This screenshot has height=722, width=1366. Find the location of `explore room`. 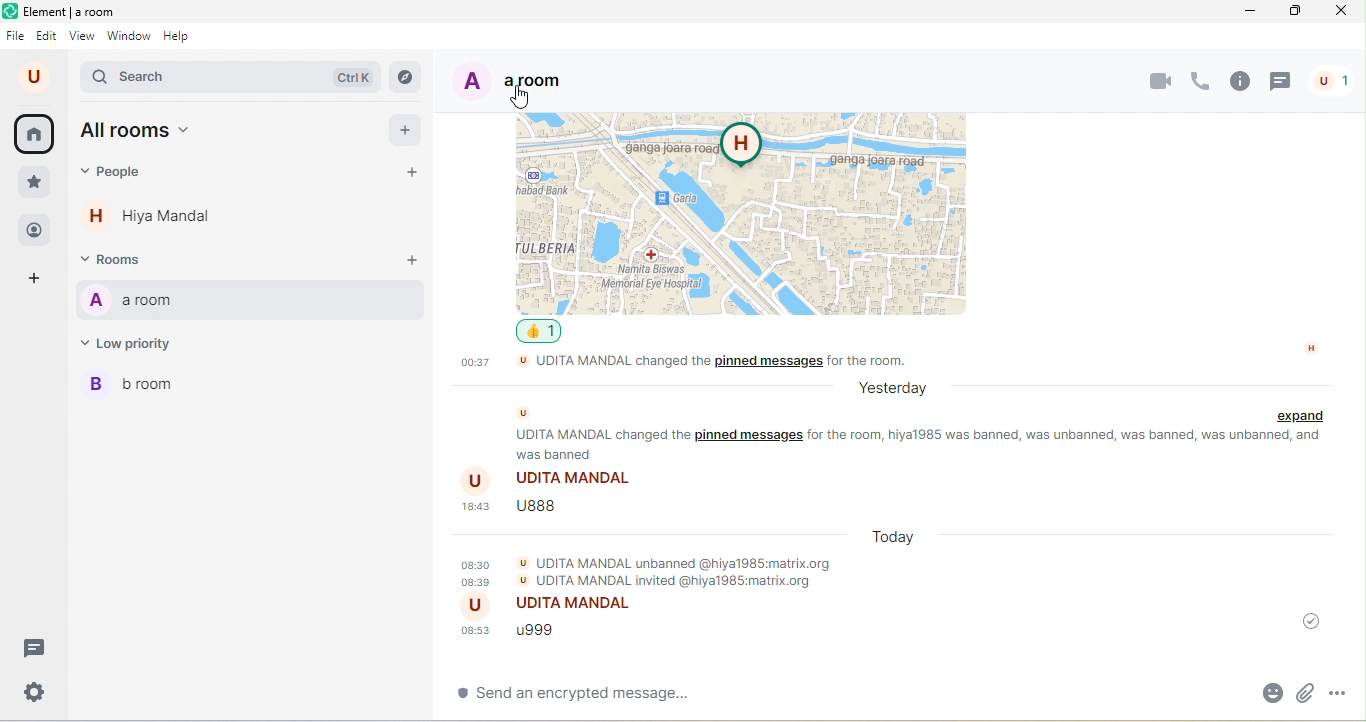

explore room is located at coordinates (407, 77).